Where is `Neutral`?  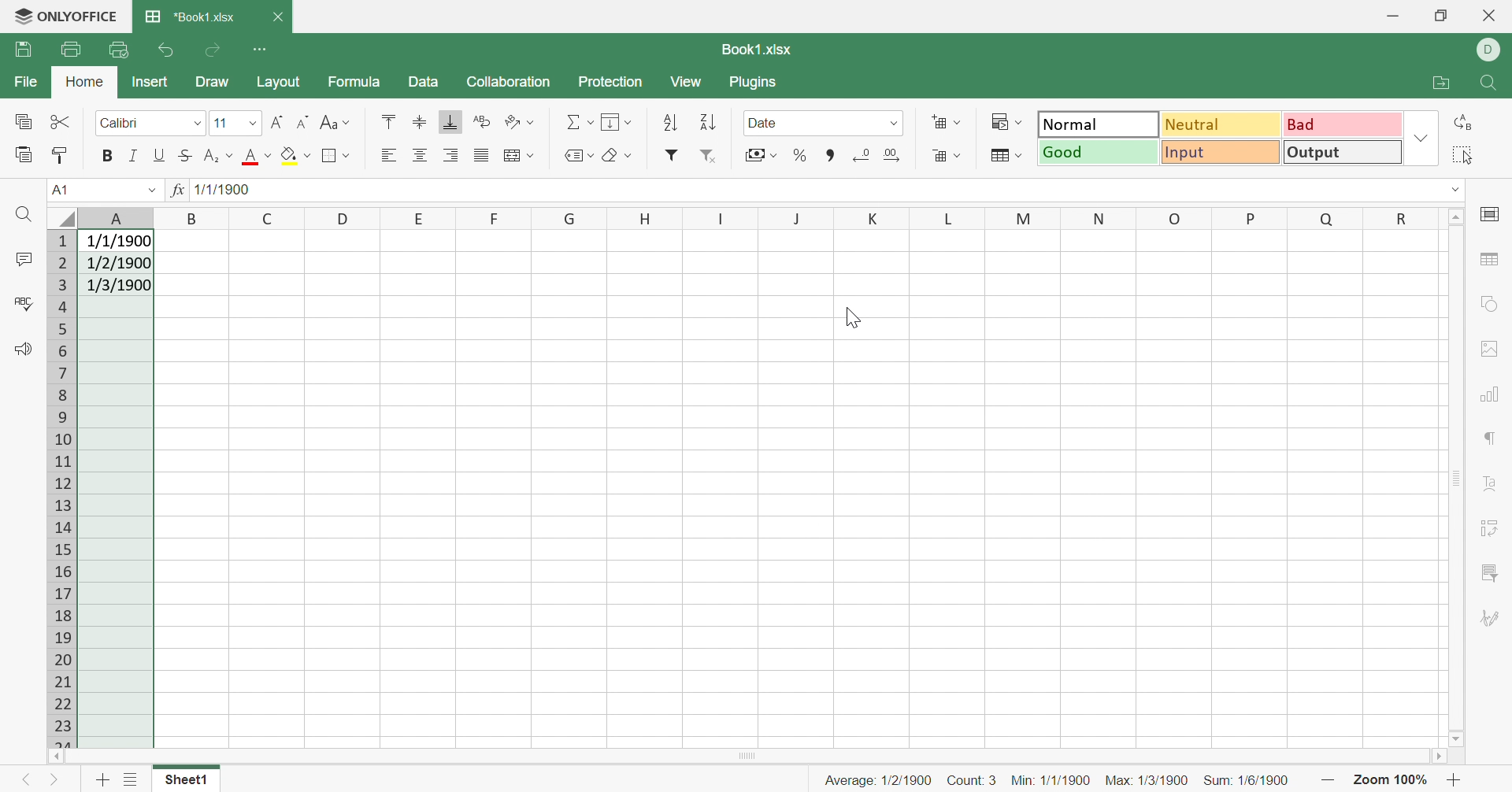 Neutral is located at coordinates (1222, 126).